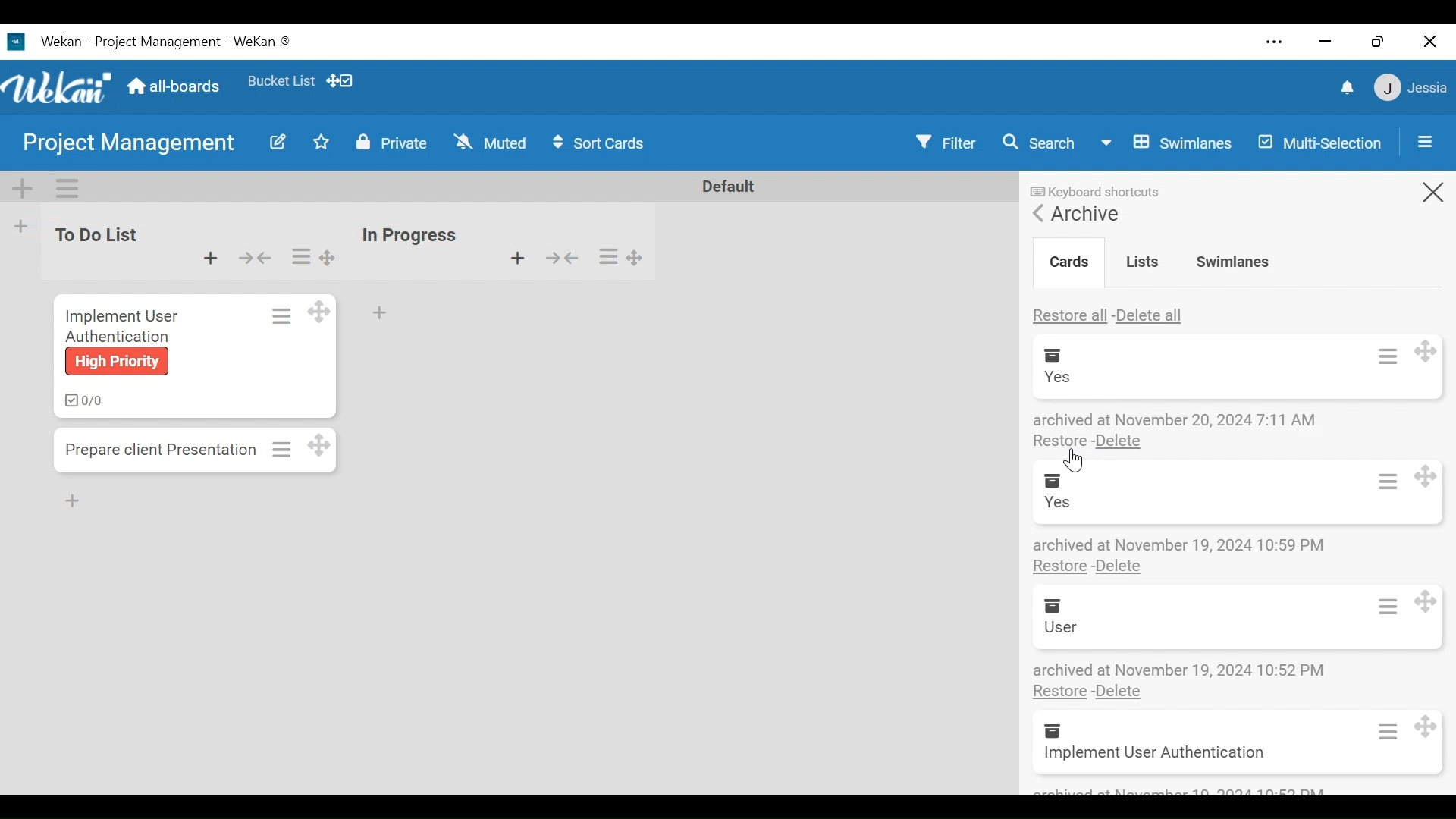 The width and height of the screenshot is (1456, 819). What do you see at coordinates (1430, 356) in the screenshot?
I see `Desktop drag handles` at bounding box center [1430, 356].